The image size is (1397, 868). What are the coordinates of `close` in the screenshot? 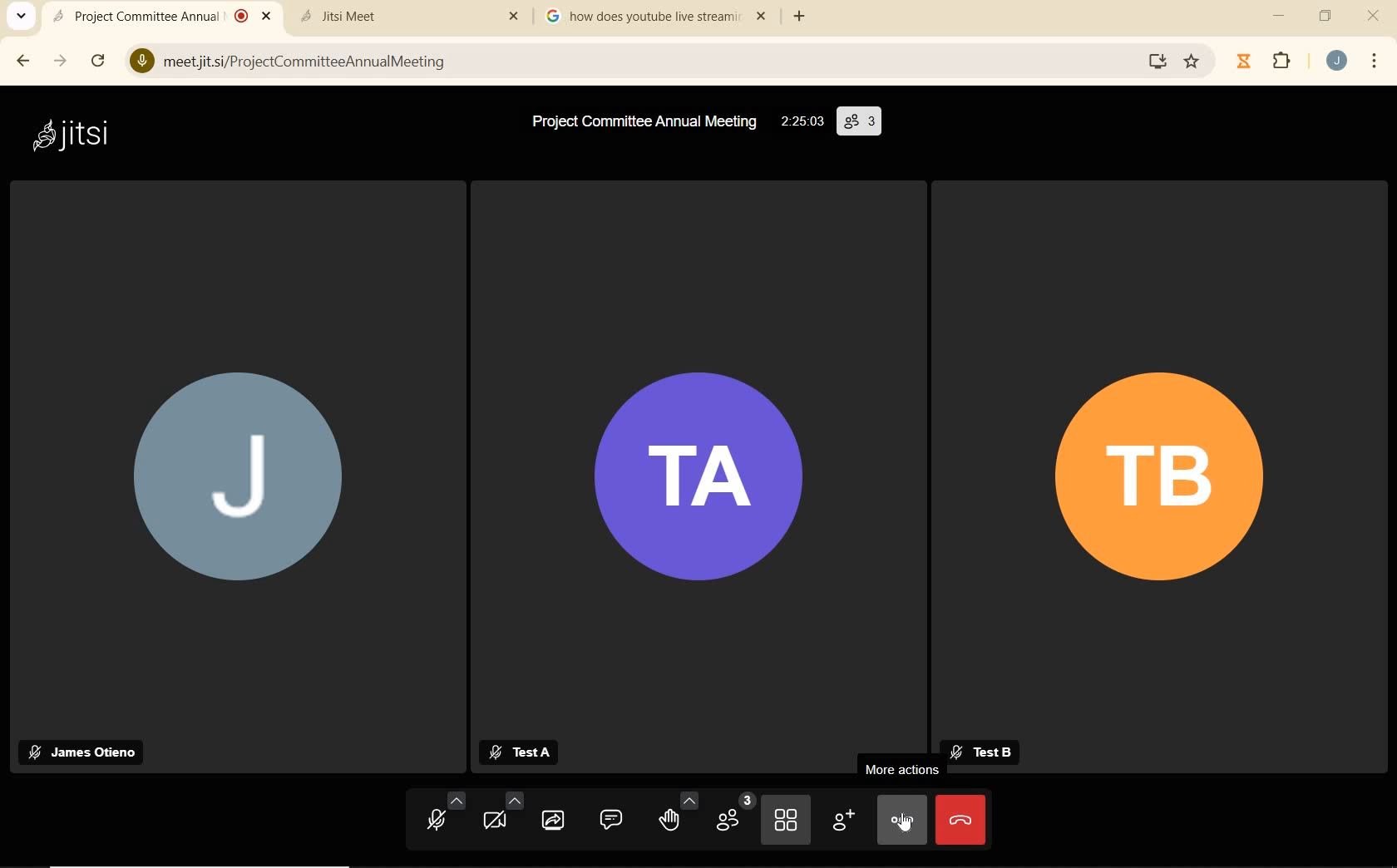 It's located at (1375, 16).